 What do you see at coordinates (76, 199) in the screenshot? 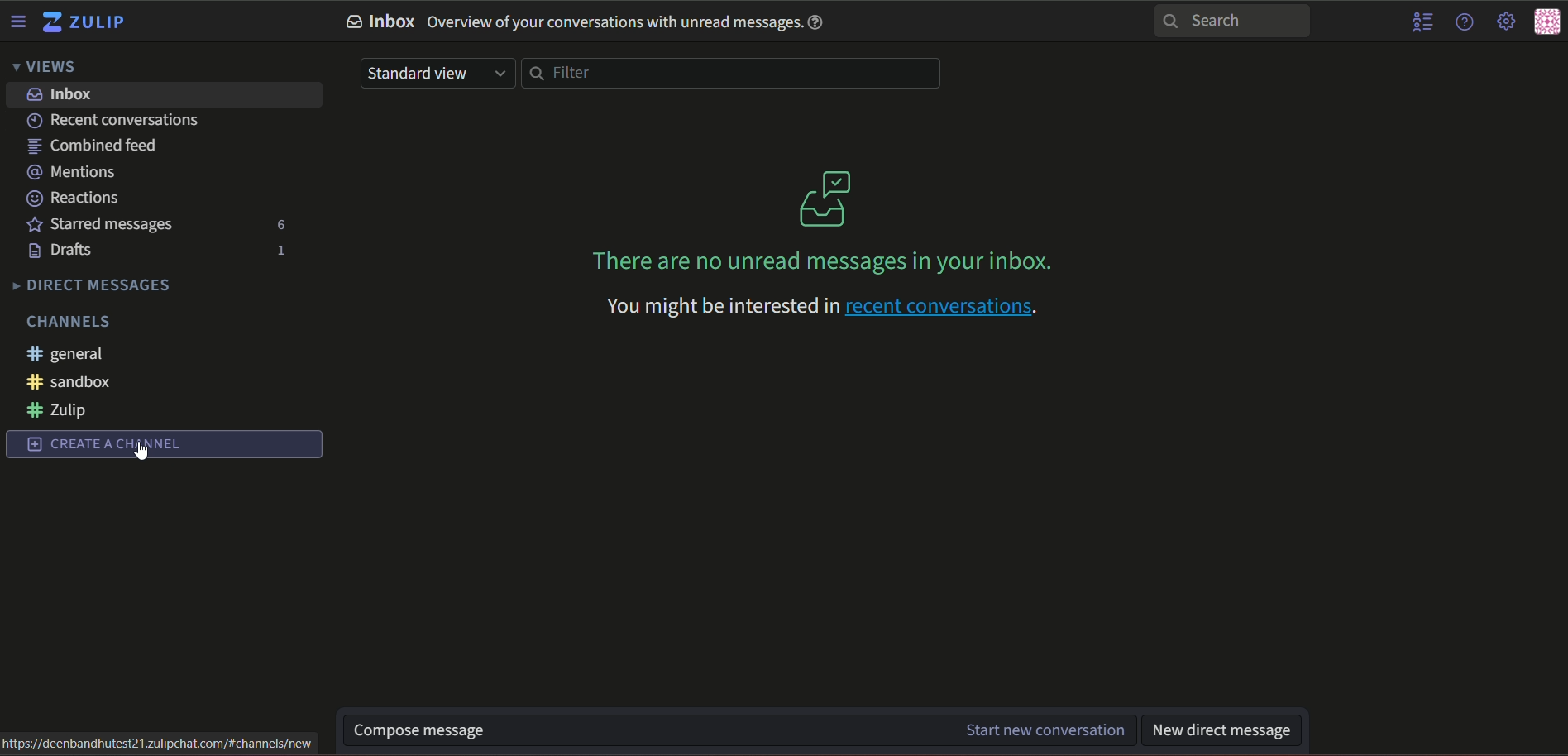
I see `reactions` at bounding box center [76, 199].